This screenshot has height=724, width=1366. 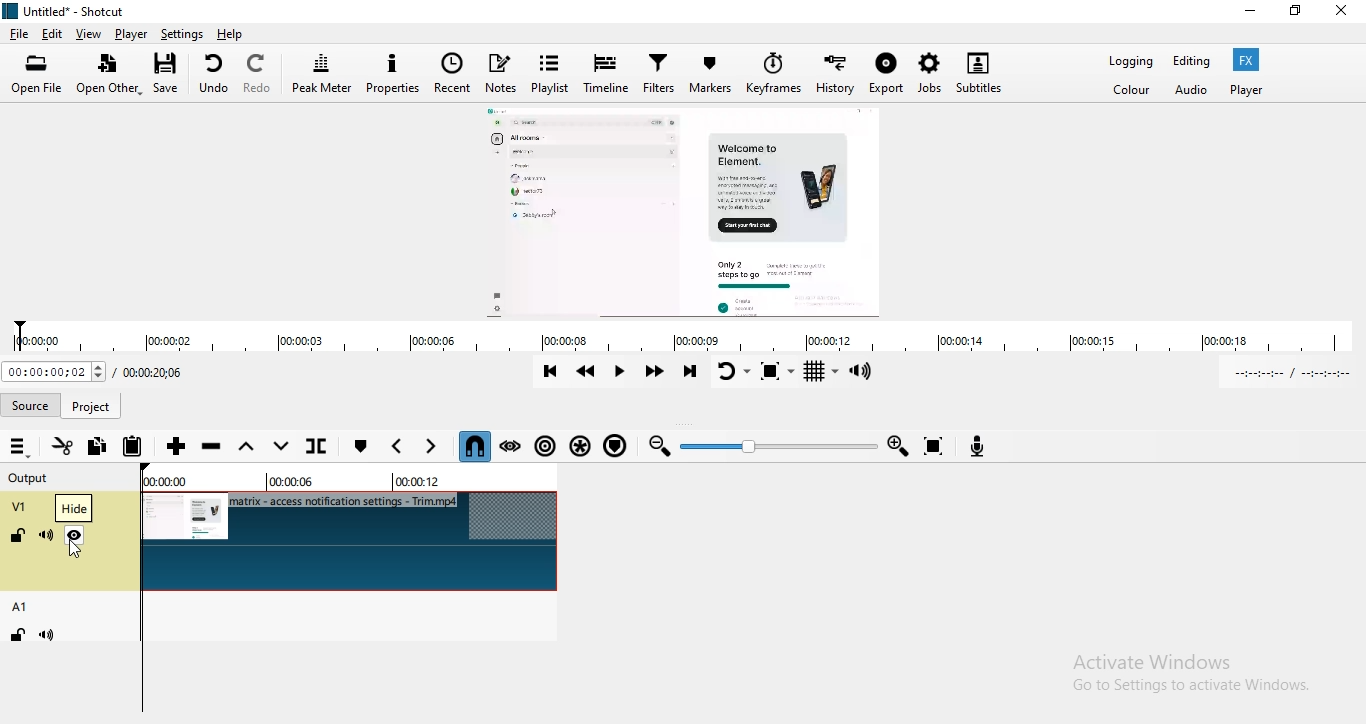 What do you see at coordinates (90, 34) in the screenshot?
I see `View` at bounding box center [90, 34].